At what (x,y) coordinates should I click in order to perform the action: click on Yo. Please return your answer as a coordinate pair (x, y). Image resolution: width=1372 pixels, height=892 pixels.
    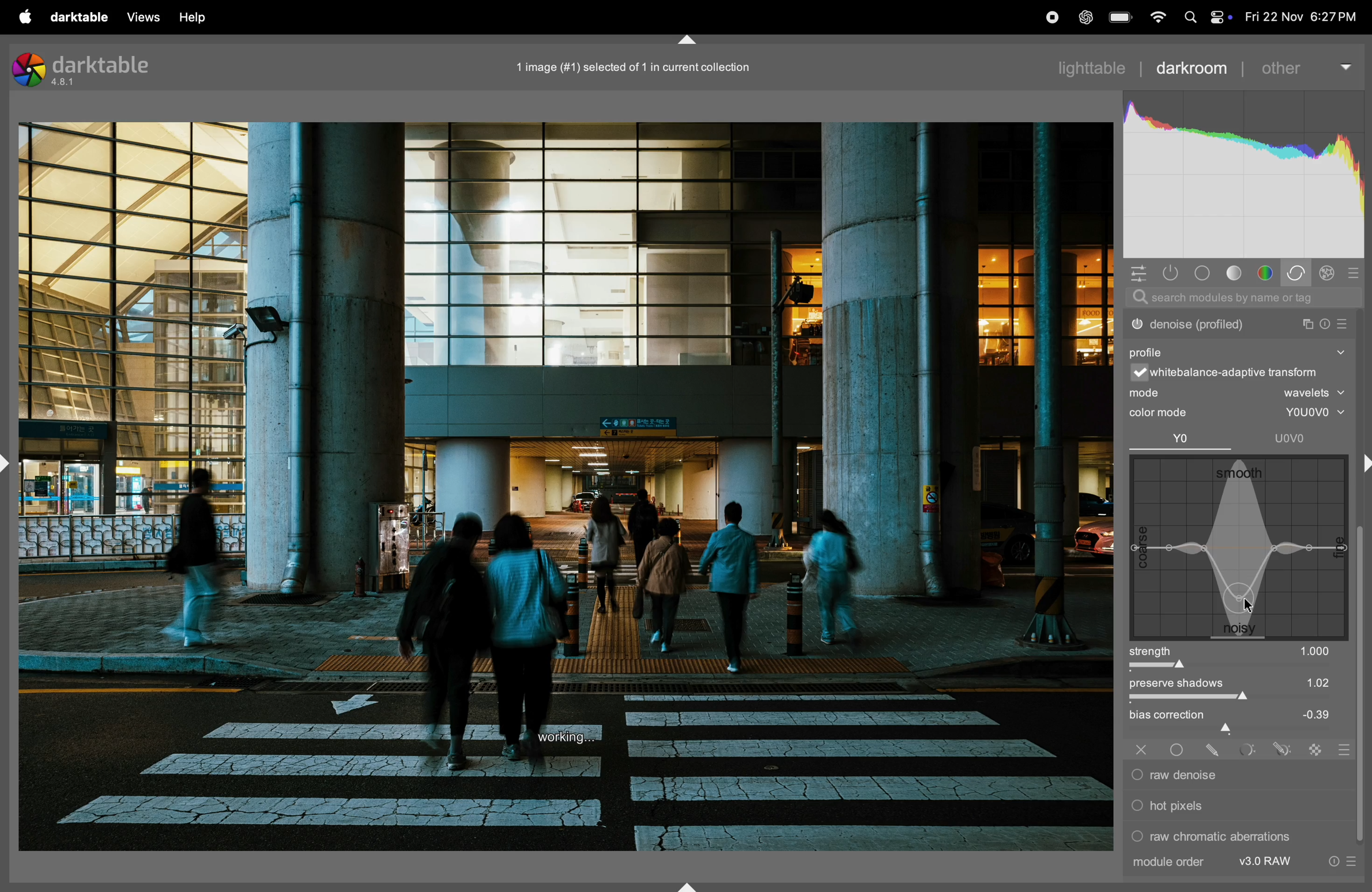
    Looking at the image, I should click on (1176, 439).